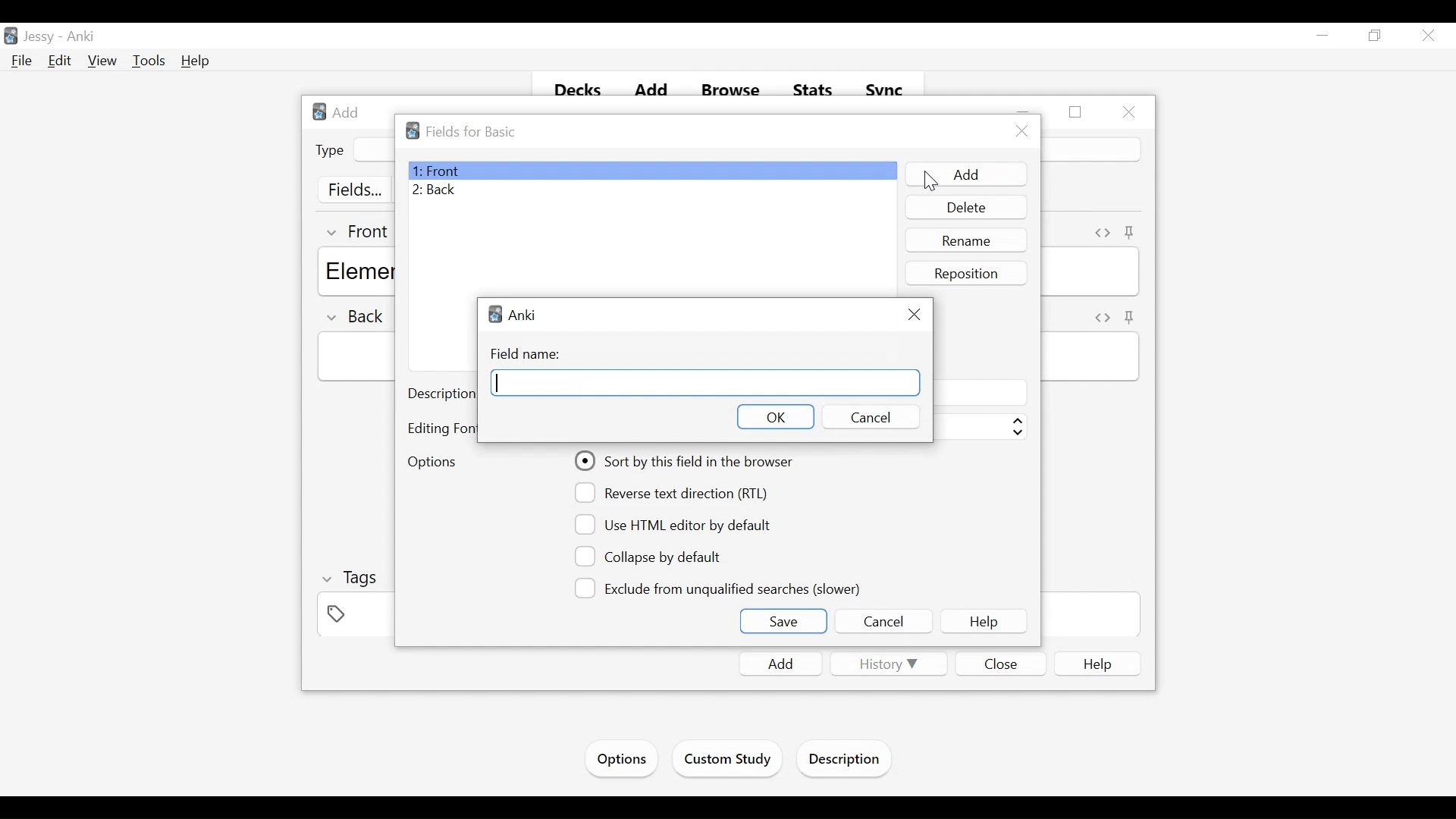  I want to click on File, so click(22, 61).